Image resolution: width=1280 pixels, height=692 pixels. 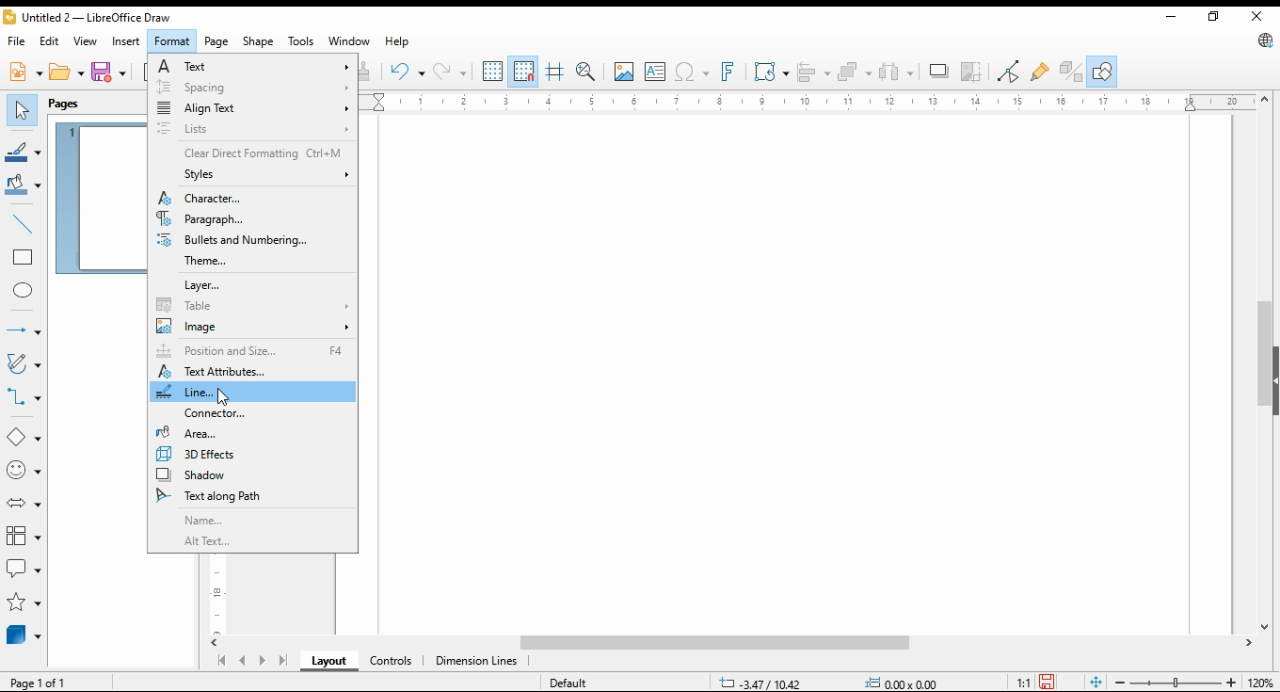 What do you see at coordinates (67, 70) in the screenshot?
I see `open` at bounding box center [67, 70].